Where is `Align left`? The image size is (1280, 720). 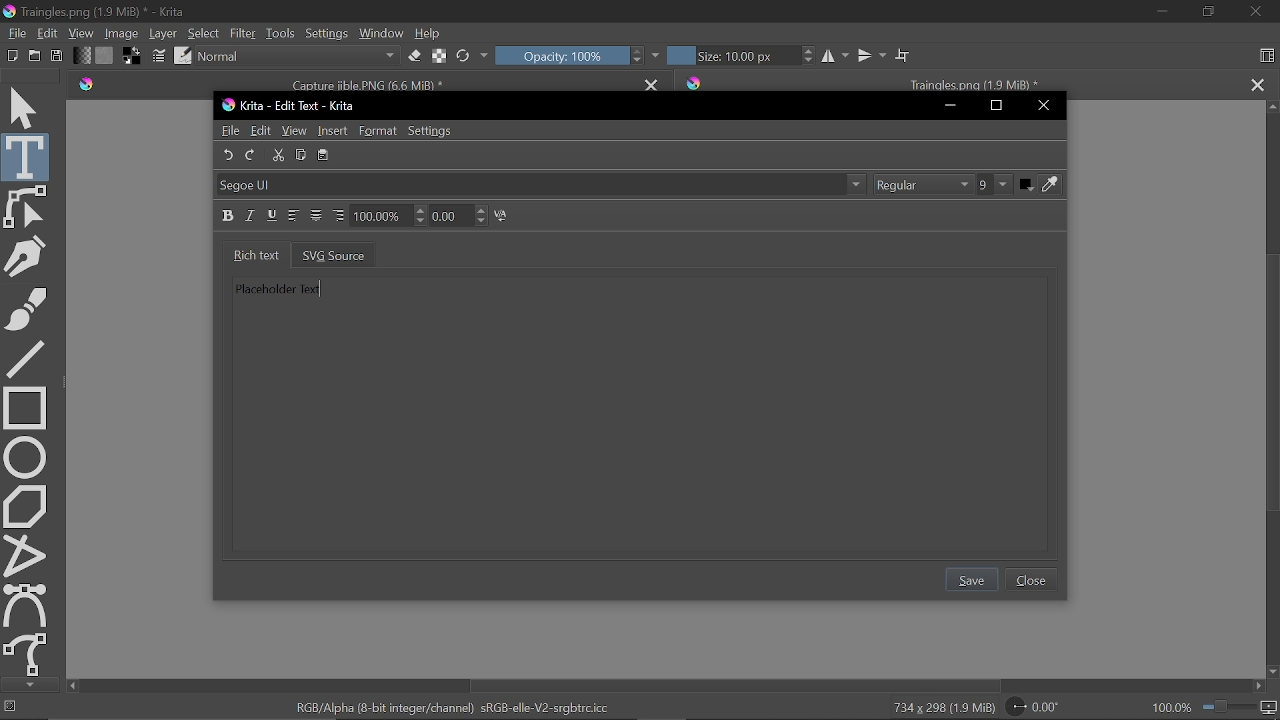
Align left is located at coordinates (294, 216).